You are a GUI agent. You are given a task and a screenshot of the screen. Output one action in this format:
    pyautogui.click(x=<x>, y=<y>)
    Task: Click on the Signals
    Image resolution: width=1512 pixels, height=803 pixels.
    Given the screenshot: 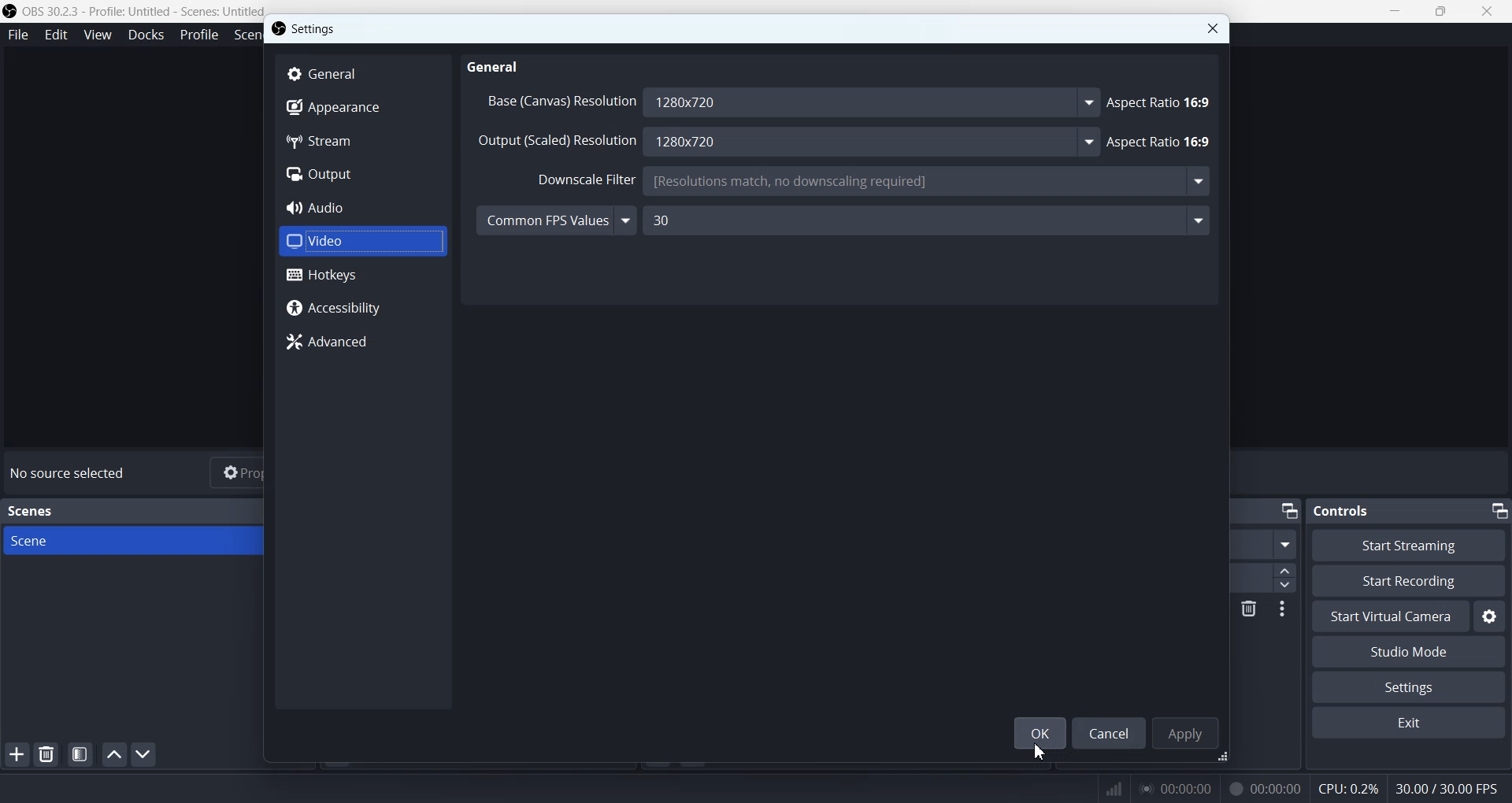 What is the action you would take?
    pyautogui.click(x=1106, y=787)
    